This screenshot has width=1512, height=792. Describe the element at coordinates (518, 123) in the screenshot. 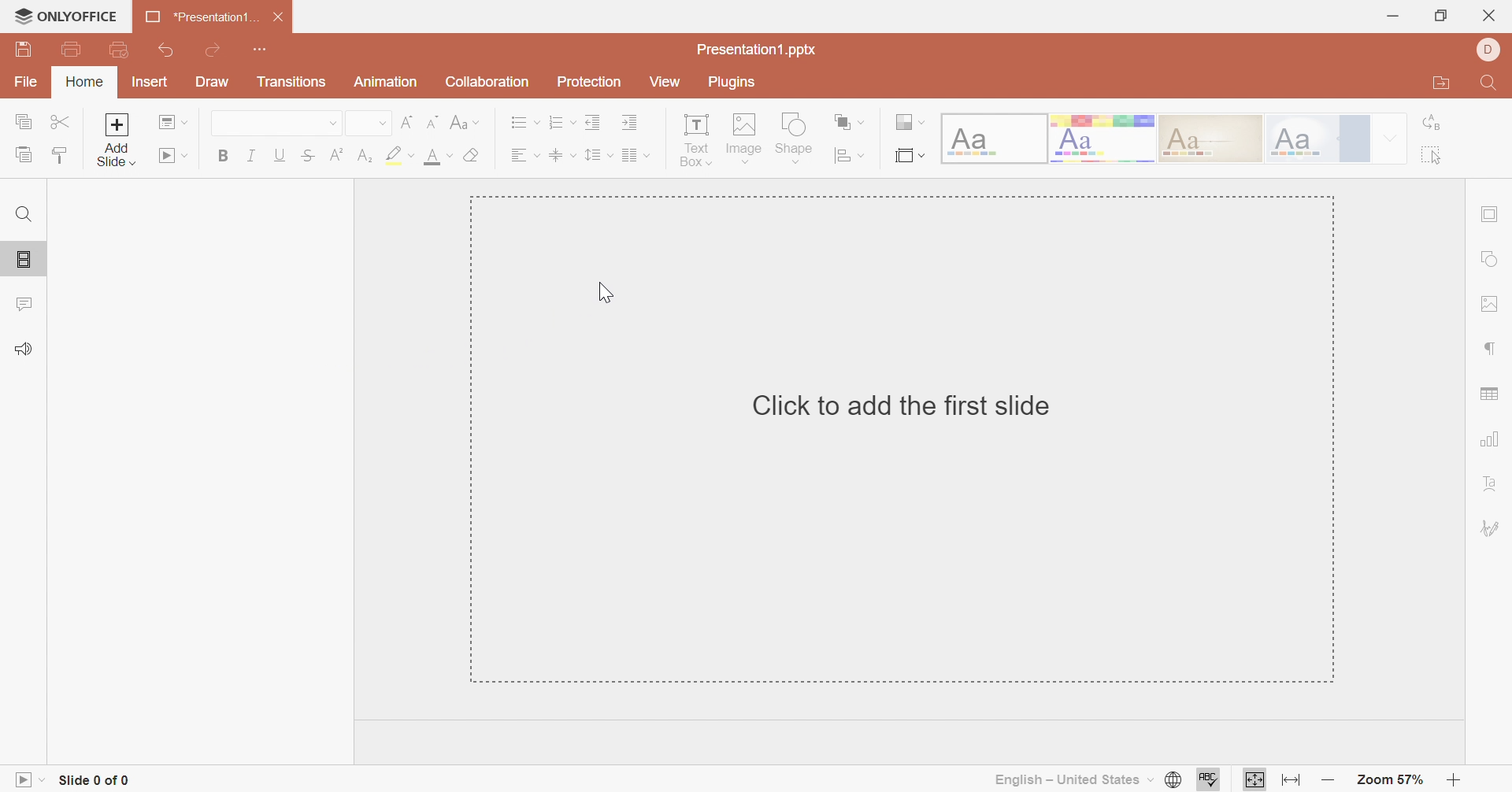

I see `Bullets` at that location.